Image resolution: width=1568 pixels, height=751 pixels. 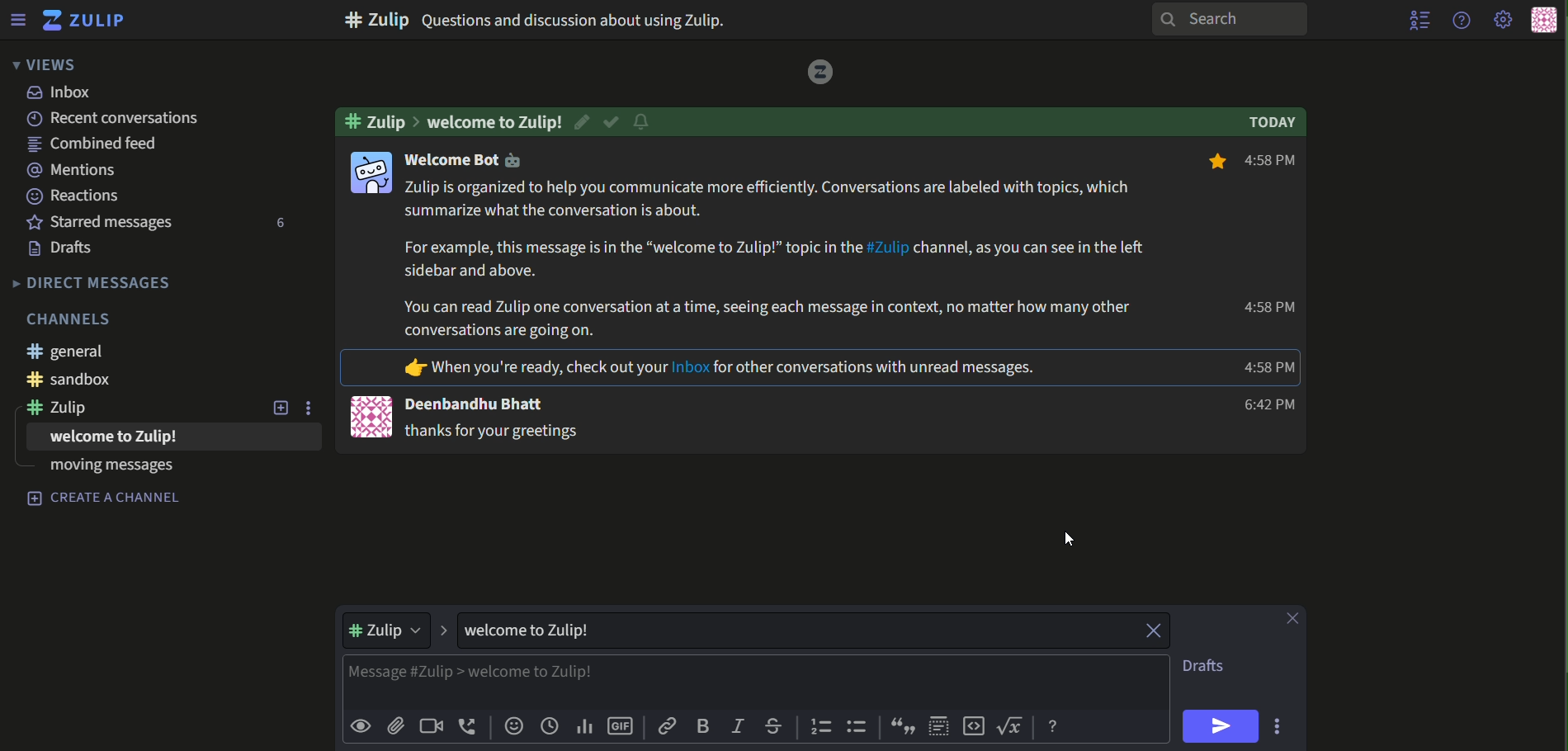 I want to click on text, so click(x=102, y=222).